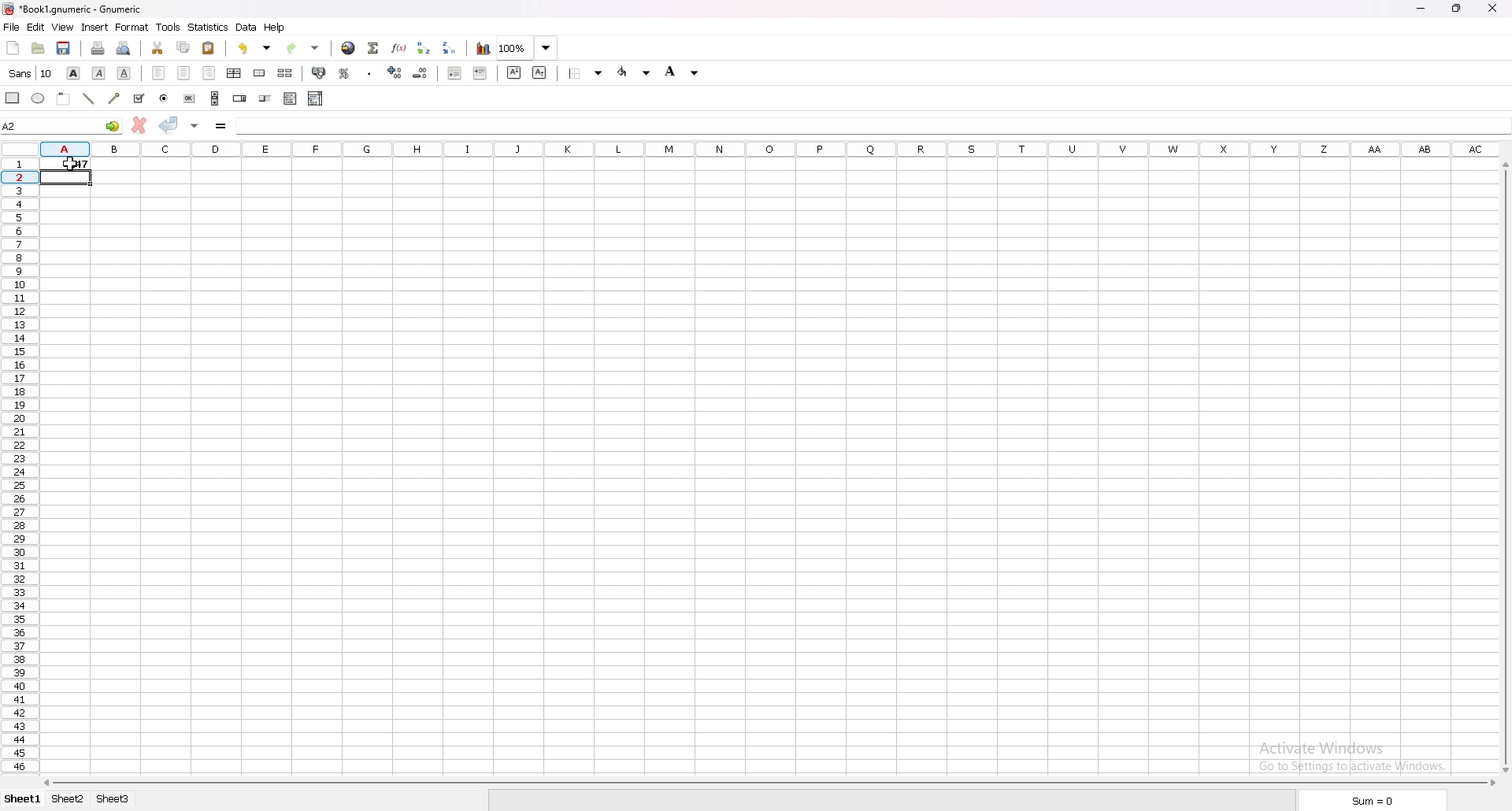  I want to click on underline, so click(124, 72).